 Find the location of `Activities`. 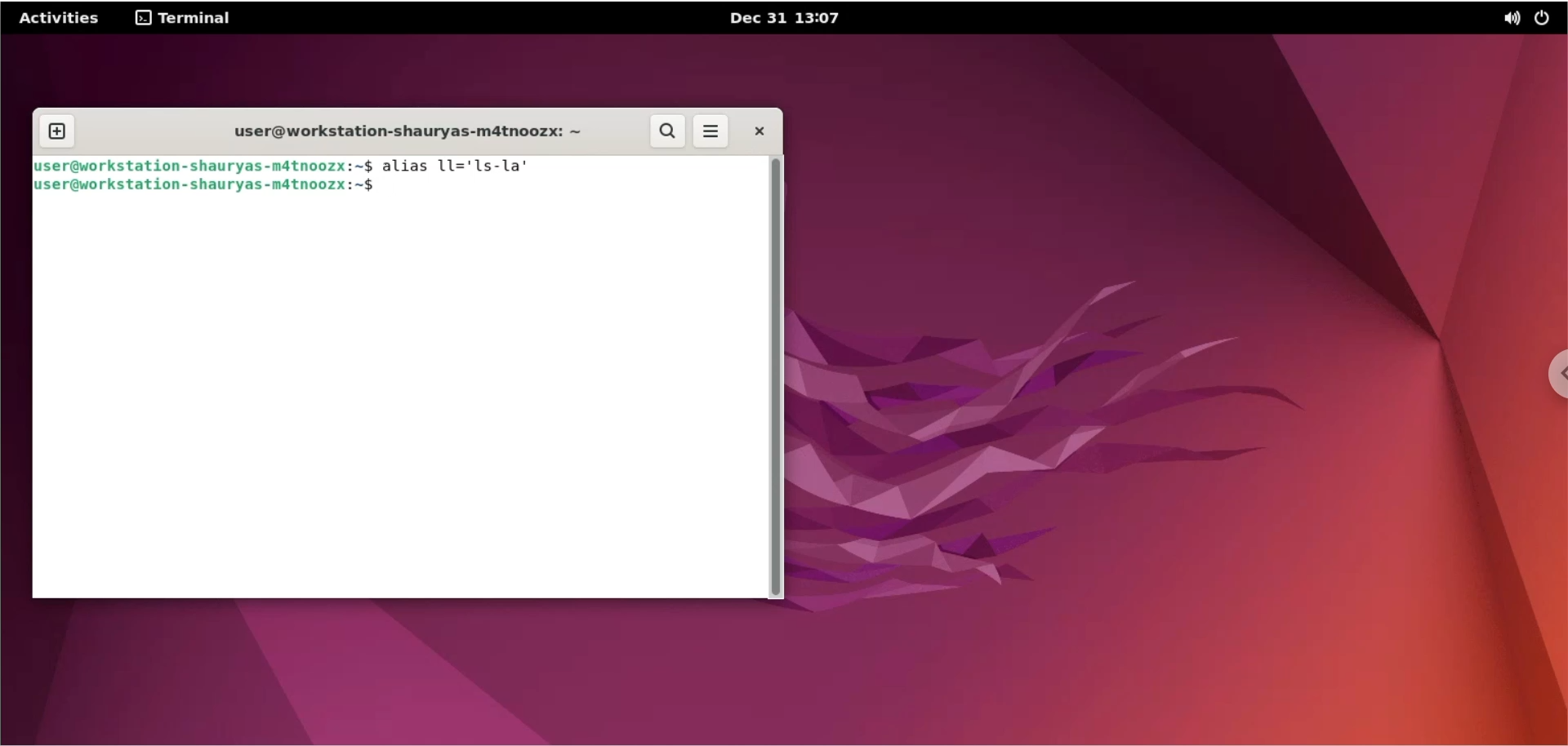

Activities is located at coordinates (60, 18).